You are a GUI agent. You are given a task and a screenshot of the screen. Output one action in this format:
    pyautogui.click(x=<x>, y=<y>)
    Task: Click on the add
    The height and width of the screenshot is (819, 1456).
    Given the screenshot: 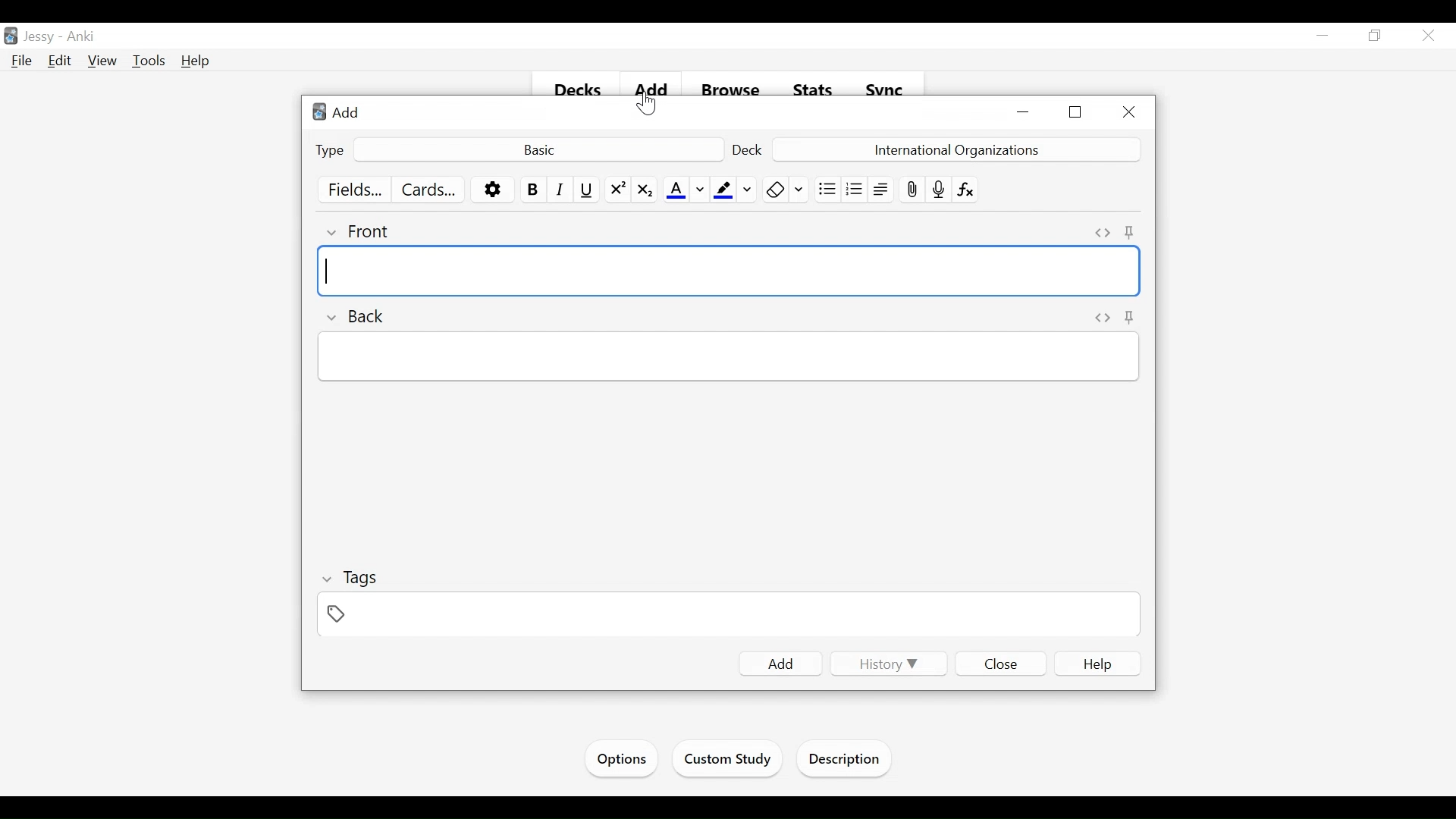 What is the action you would take?
    pyautogui.click(x=645, y=83)
    